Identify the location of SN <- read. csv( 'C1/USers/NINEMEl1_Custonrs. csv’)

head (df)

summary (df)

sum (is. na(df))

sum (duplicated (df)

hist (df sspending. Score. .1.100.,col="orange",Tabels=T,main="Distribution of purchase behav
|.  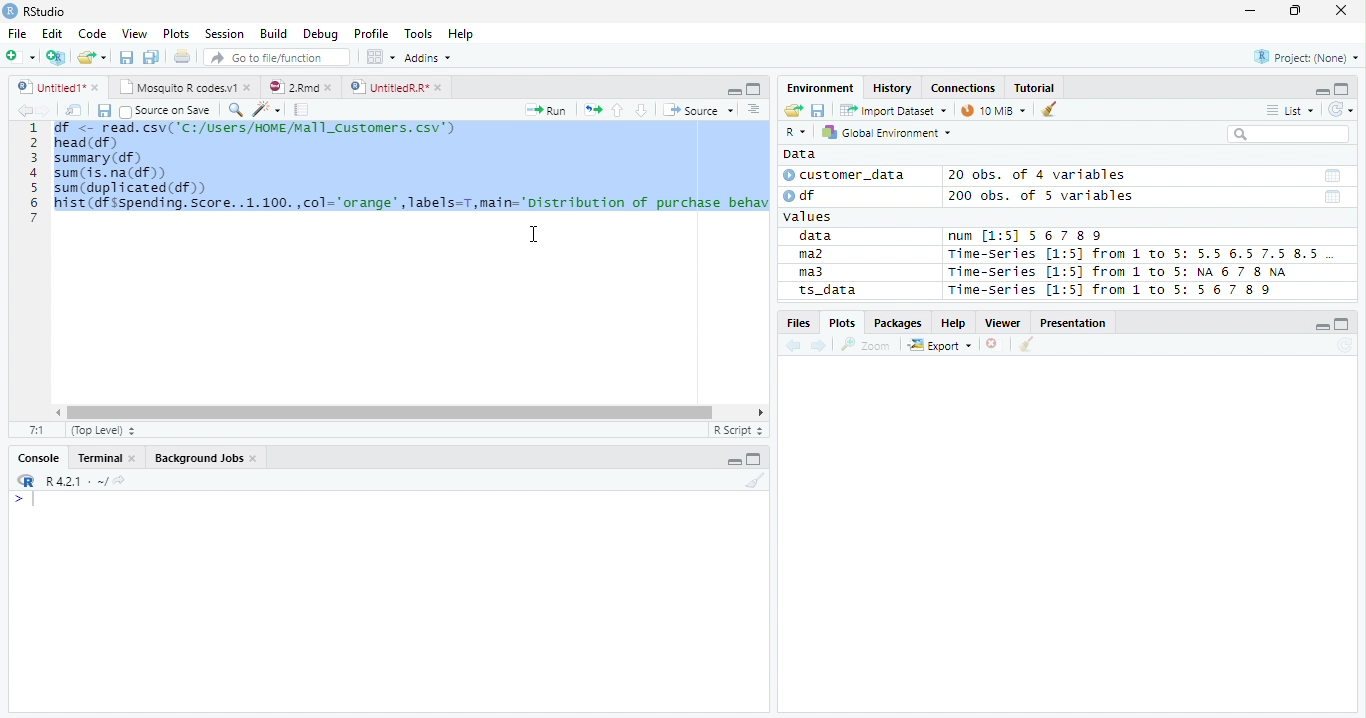
(412, 178).